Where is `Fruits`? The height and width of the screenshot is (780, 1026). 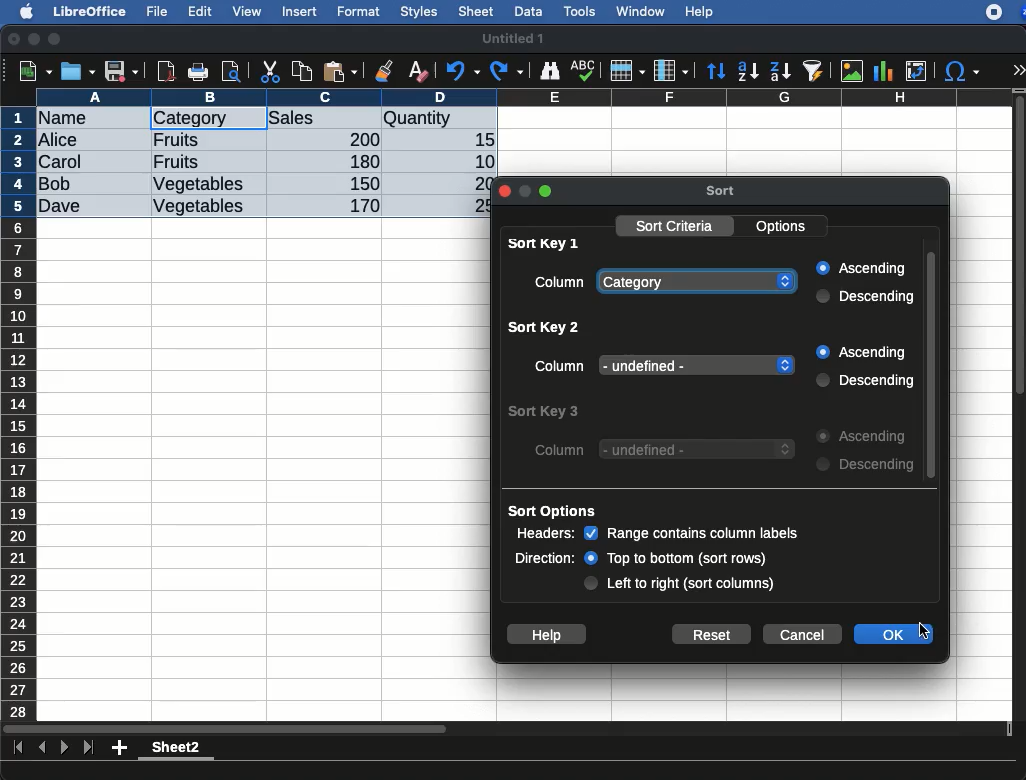
Fruits is located at coordinates (177, 139).